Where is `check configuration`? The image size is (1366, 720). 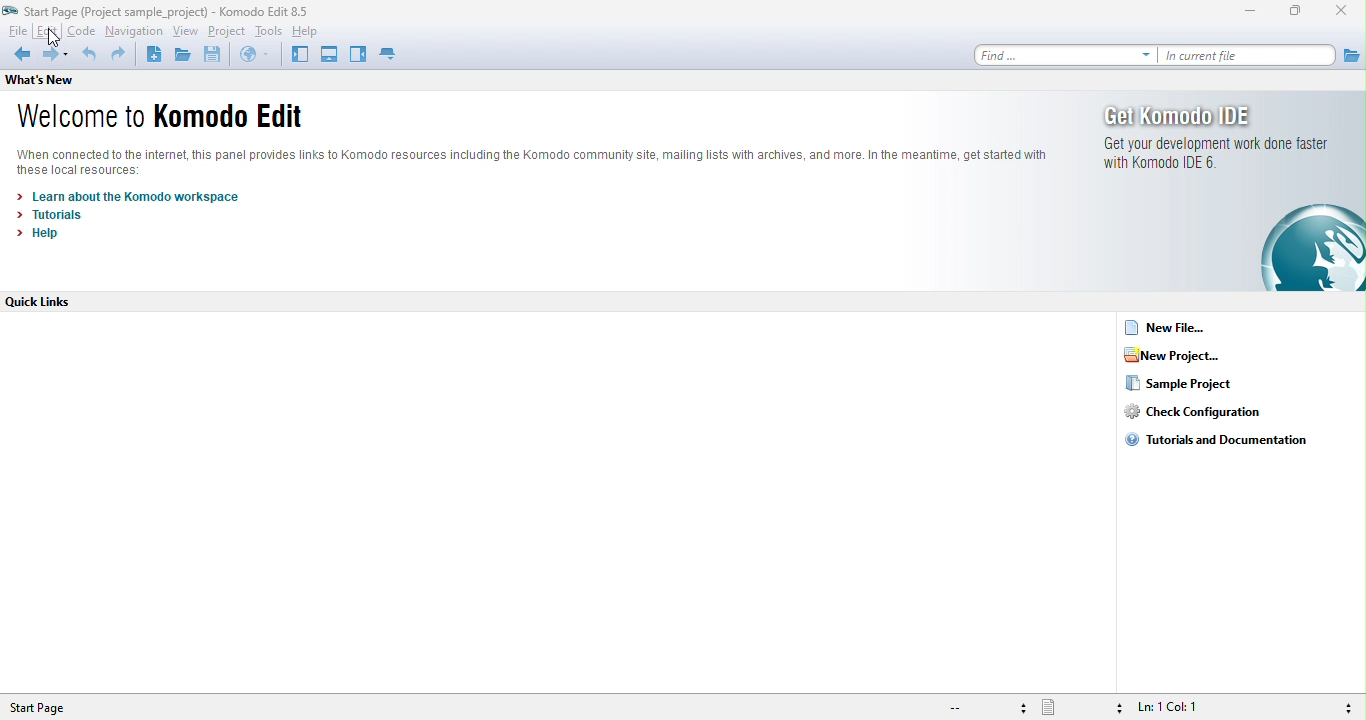 check configuration is located at coordinates (1202, 413).